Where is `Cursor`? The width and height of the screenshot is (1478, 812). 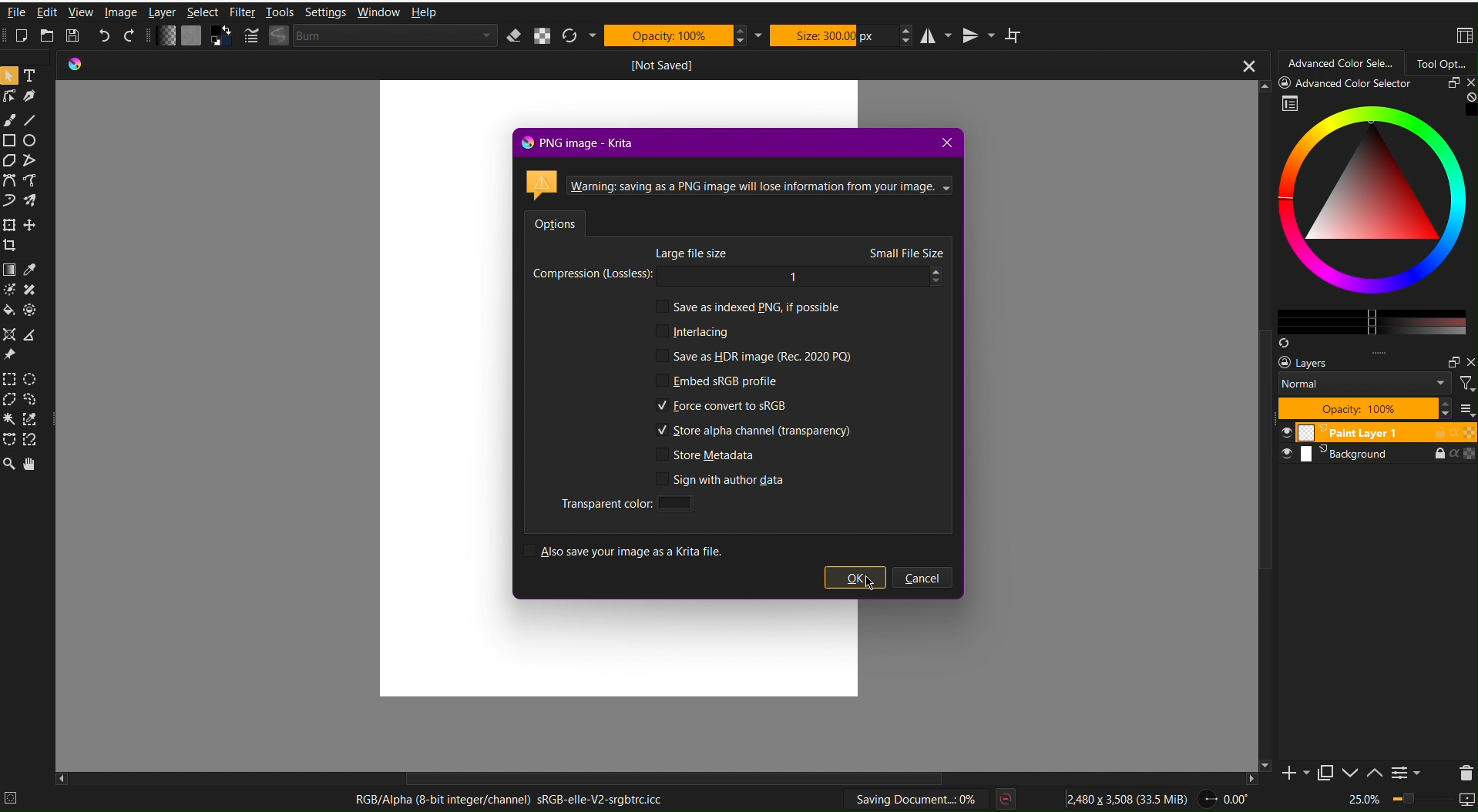 Cursor is located at coordinates (868, 582).